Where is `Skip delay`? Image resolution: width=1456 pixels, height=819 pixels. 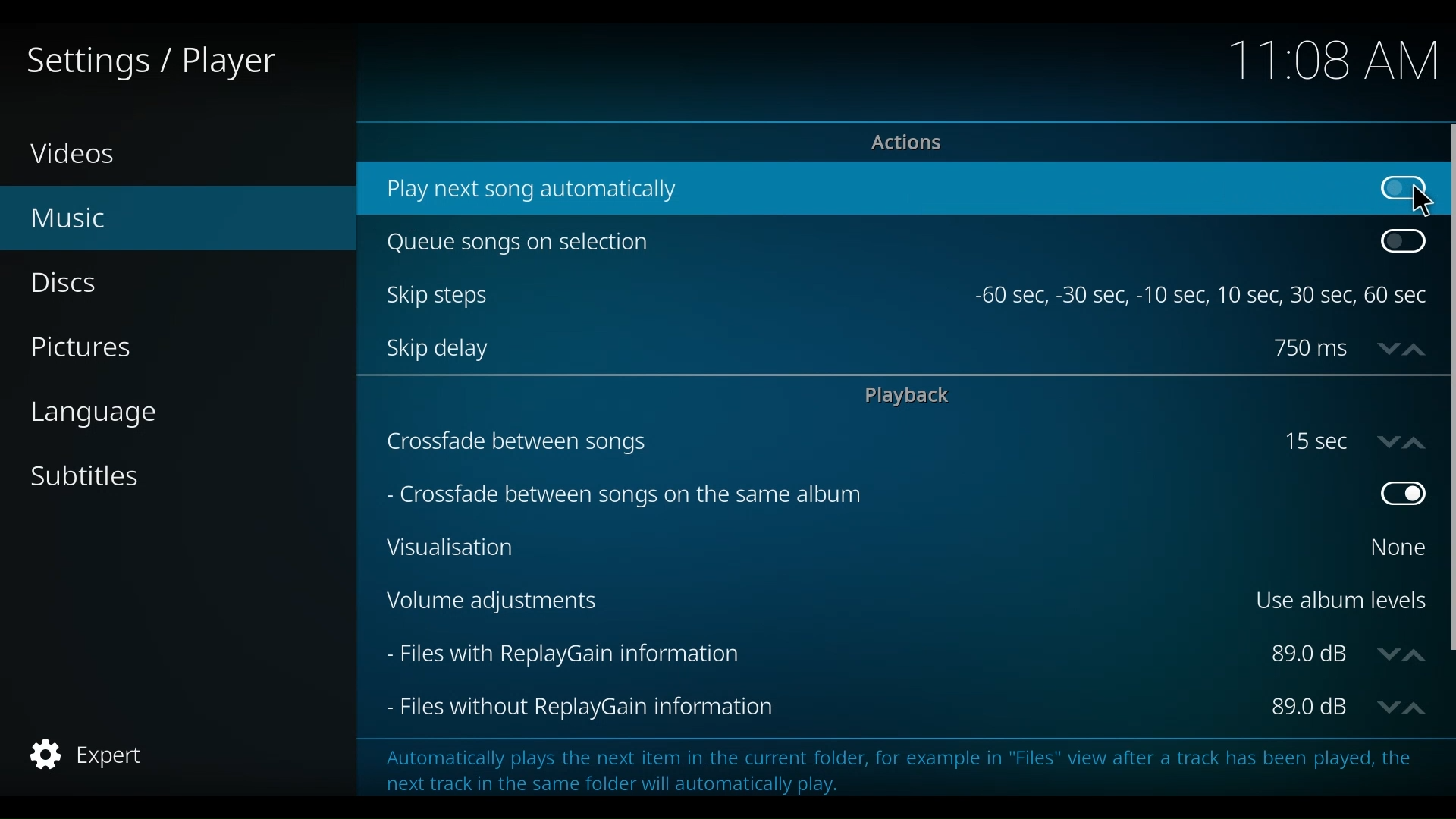
Skip delay is located at coordinates (816, 348).